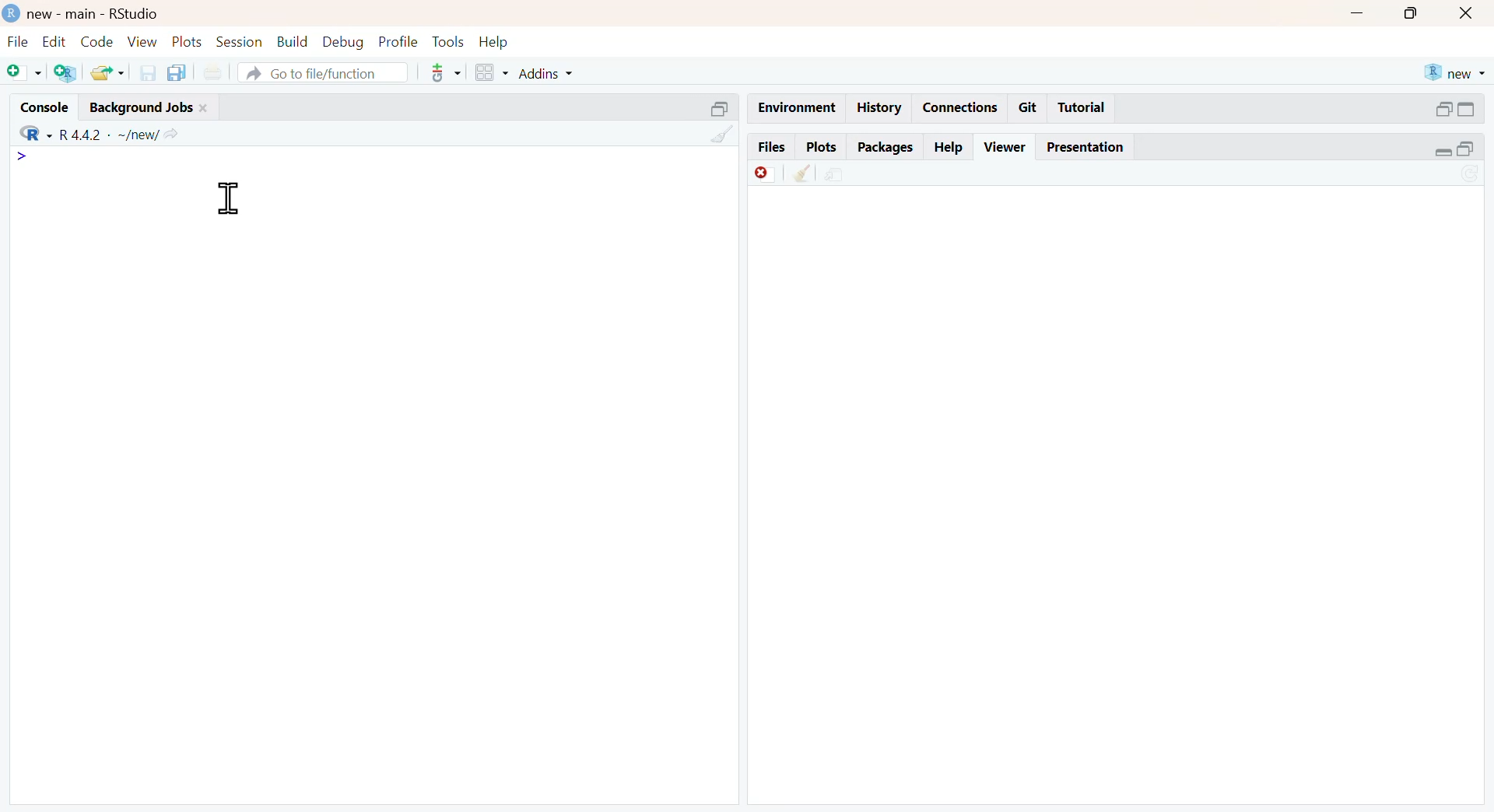  What do you see at coordinates (67, 73) in the screenshot?
I see `add R file` at bounding box center [67, 73].